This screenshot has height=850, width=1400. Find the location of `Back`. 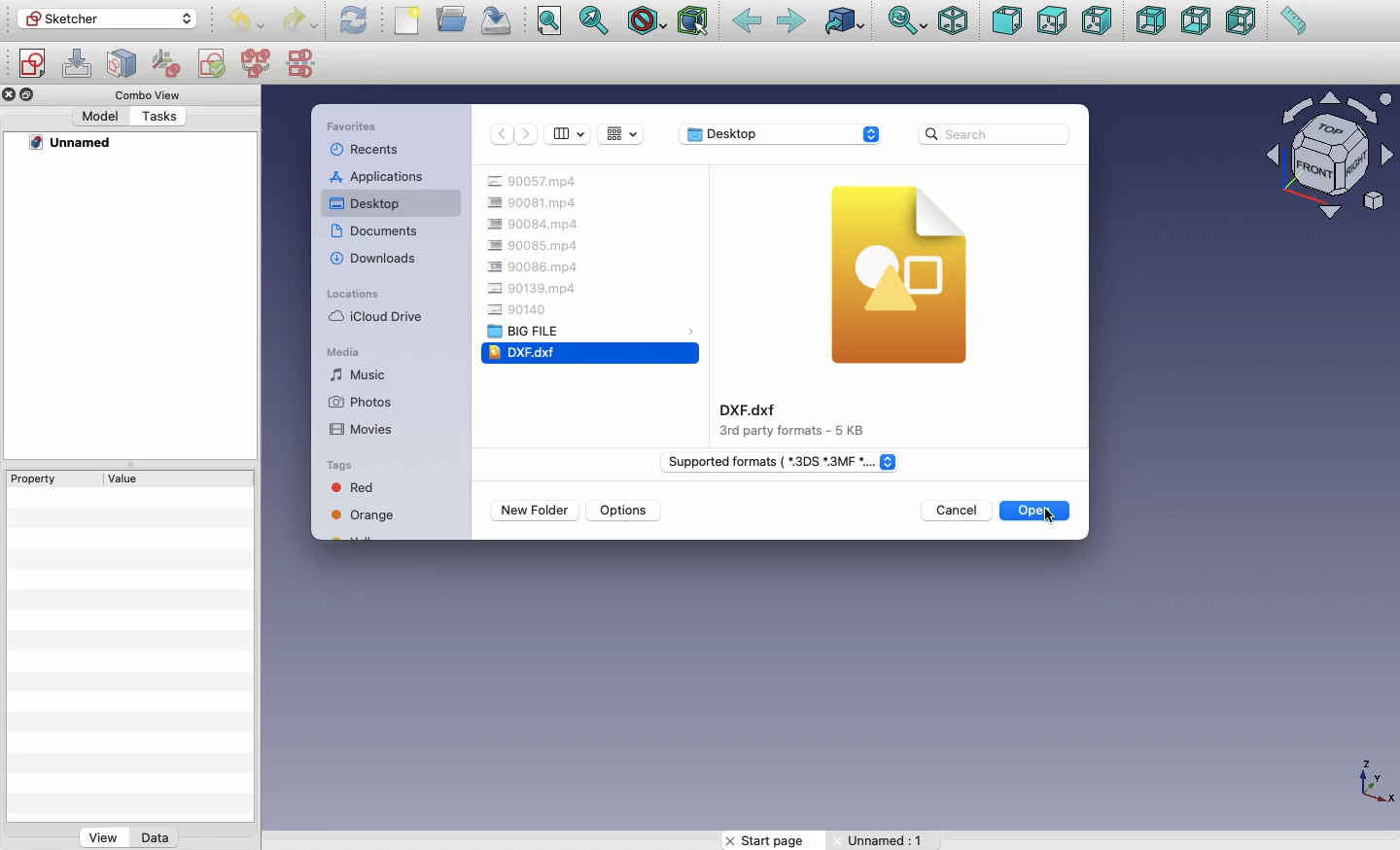

Back is located at coordinates (749, 22).